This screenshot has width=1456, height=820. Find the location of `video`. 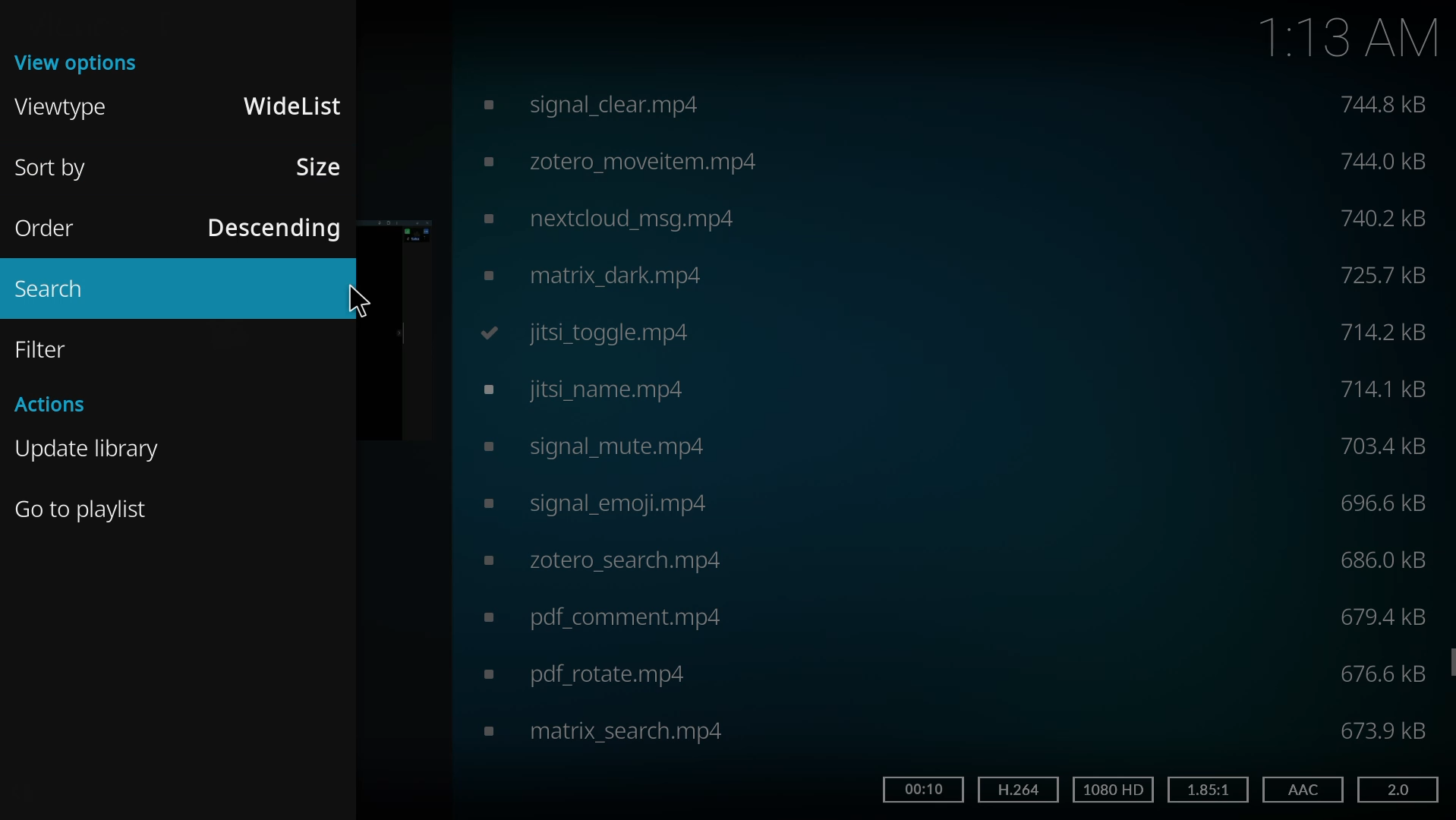

video is located at coordinates (588, 449).